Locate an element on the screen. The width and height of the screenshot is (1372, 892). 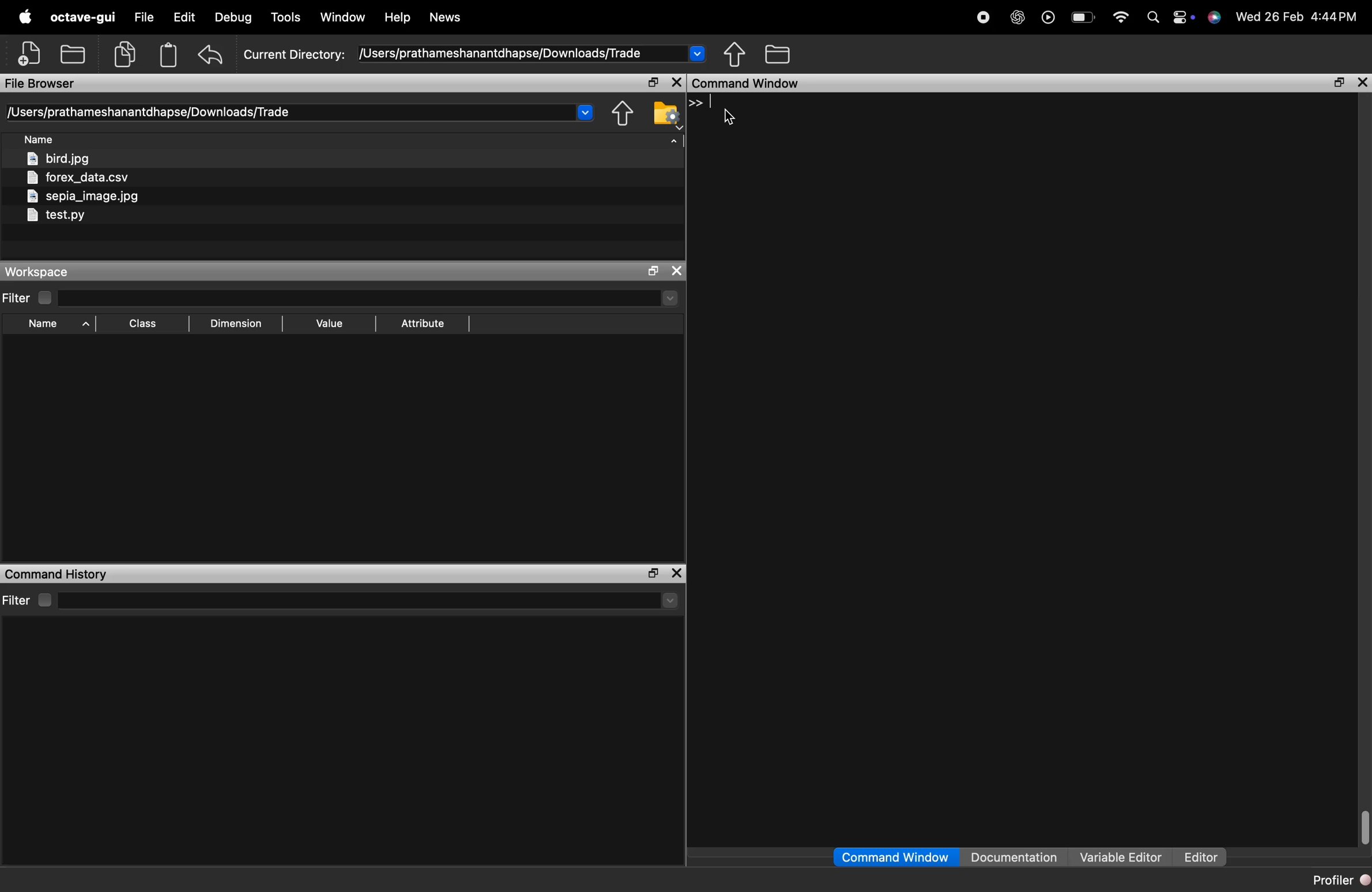
Editor is located at coordinates (1201, 857).